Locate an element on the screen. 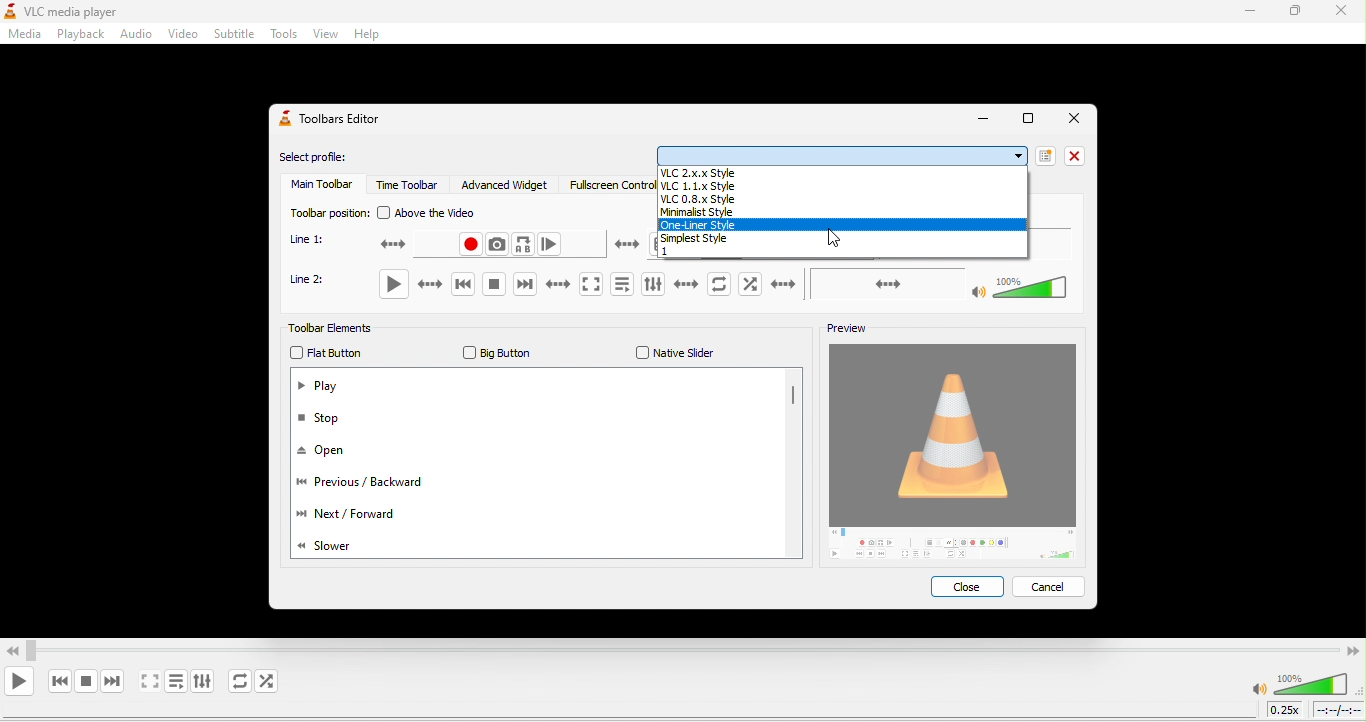 This screenshot has height=722, width=1366. toolbar elements is located at coordinates (337, 328).